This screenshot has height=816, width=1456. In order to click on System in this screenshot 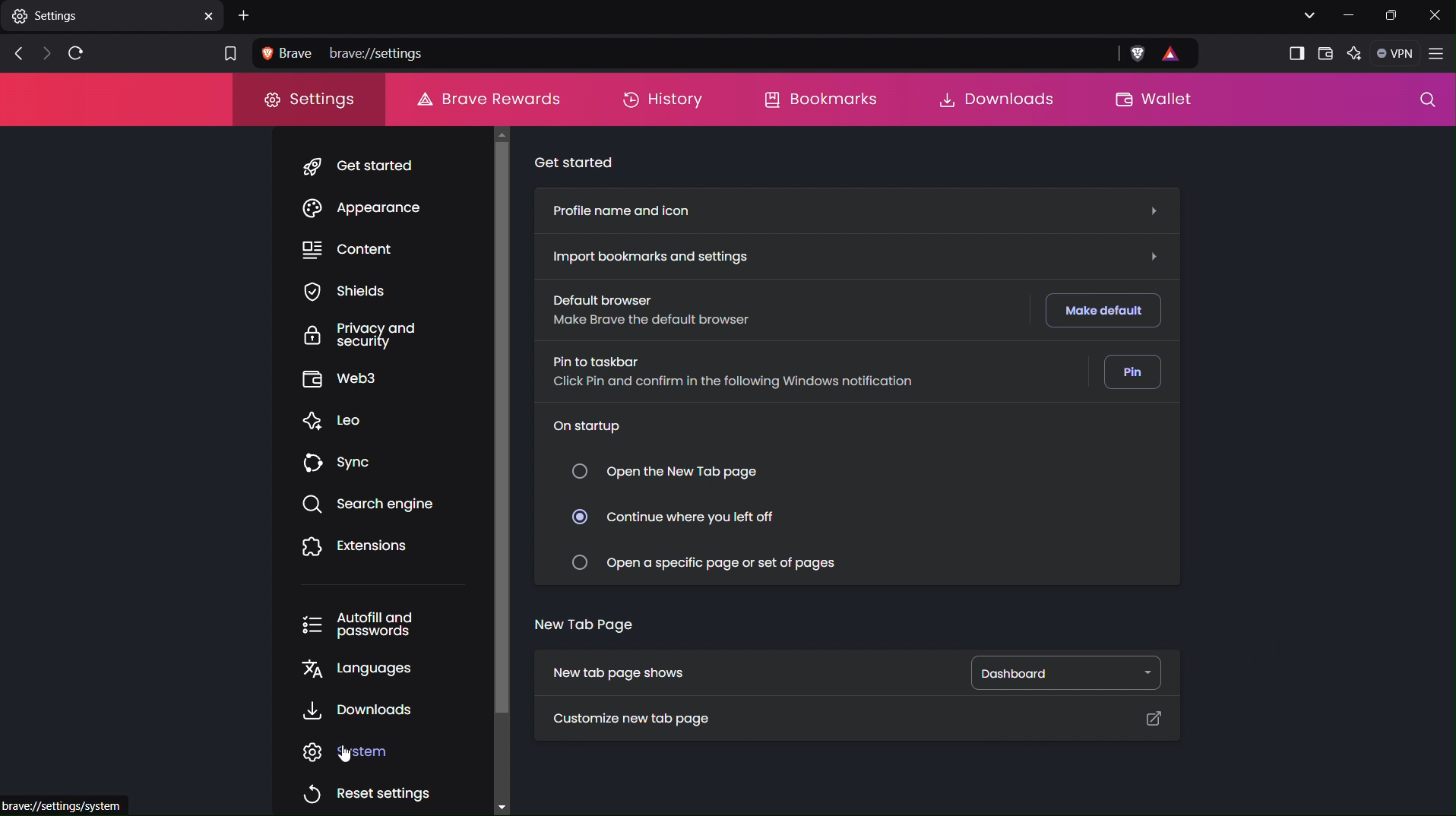, I will do `click(348, 751)`.